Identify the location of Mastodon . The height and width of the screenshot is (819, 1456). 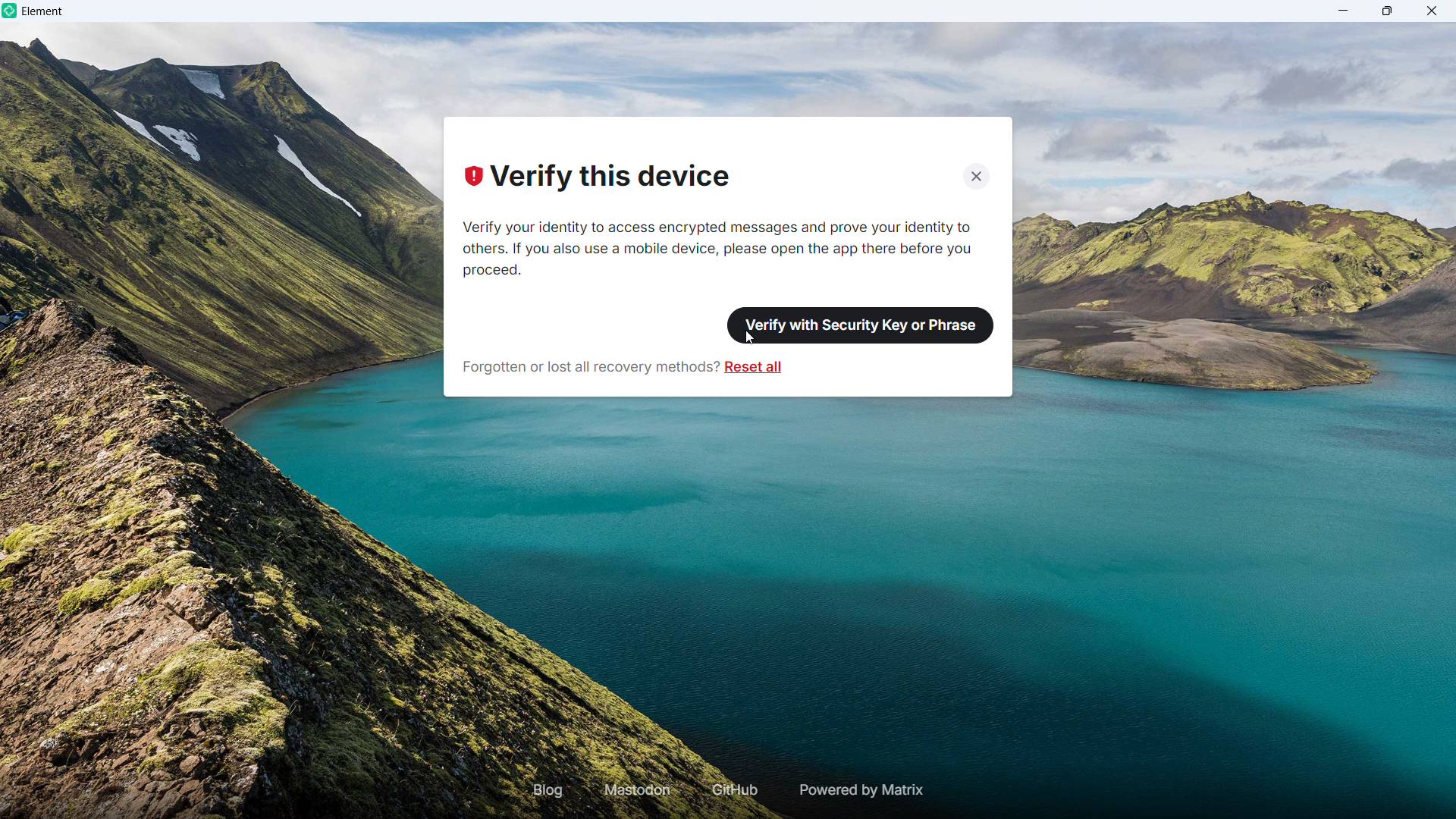
(639, 790).